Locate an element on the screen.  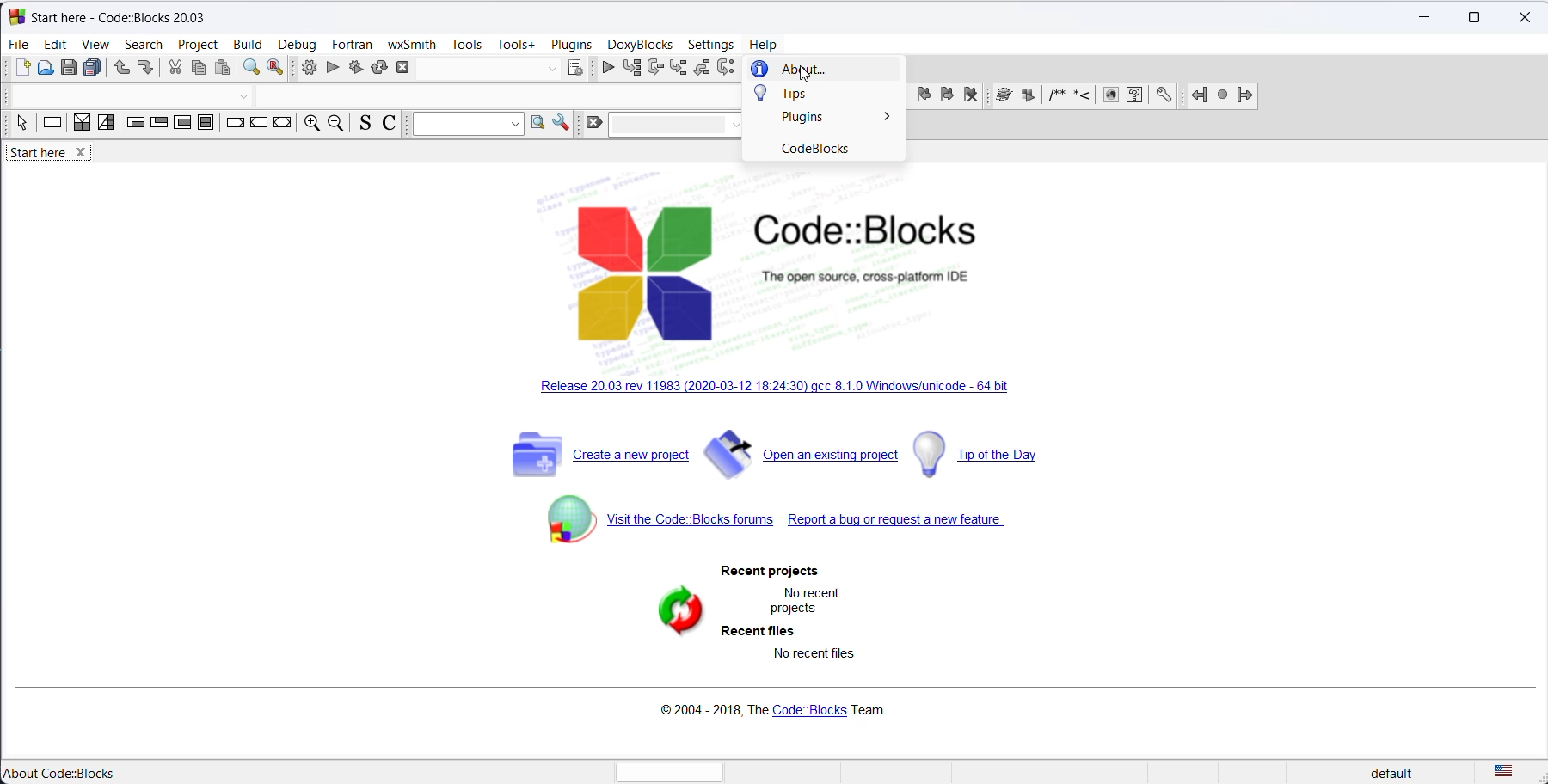
tools + is located at coordinates (516, 44).